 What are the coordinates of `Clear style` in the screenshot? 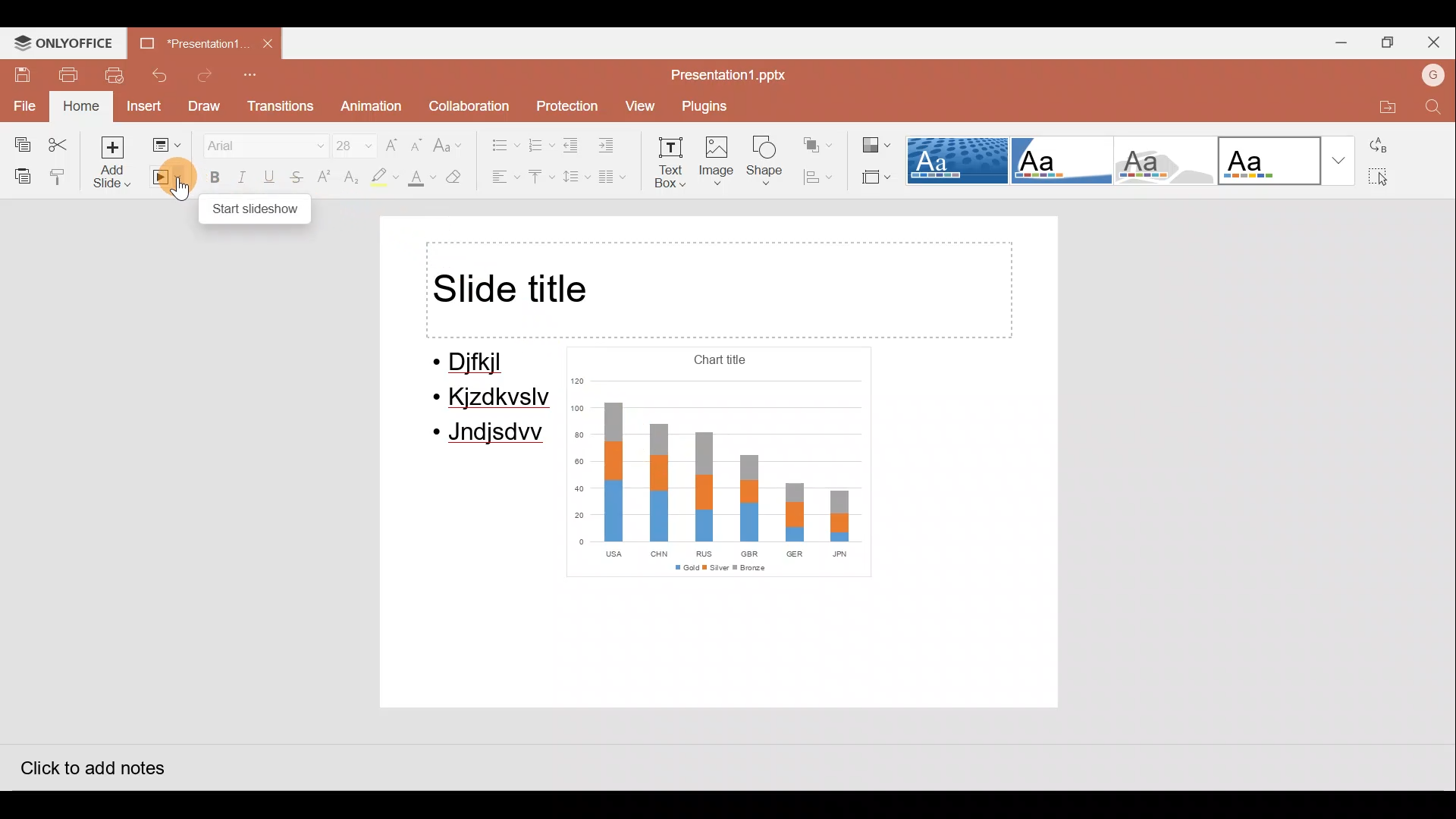 It's located at (461, 179).